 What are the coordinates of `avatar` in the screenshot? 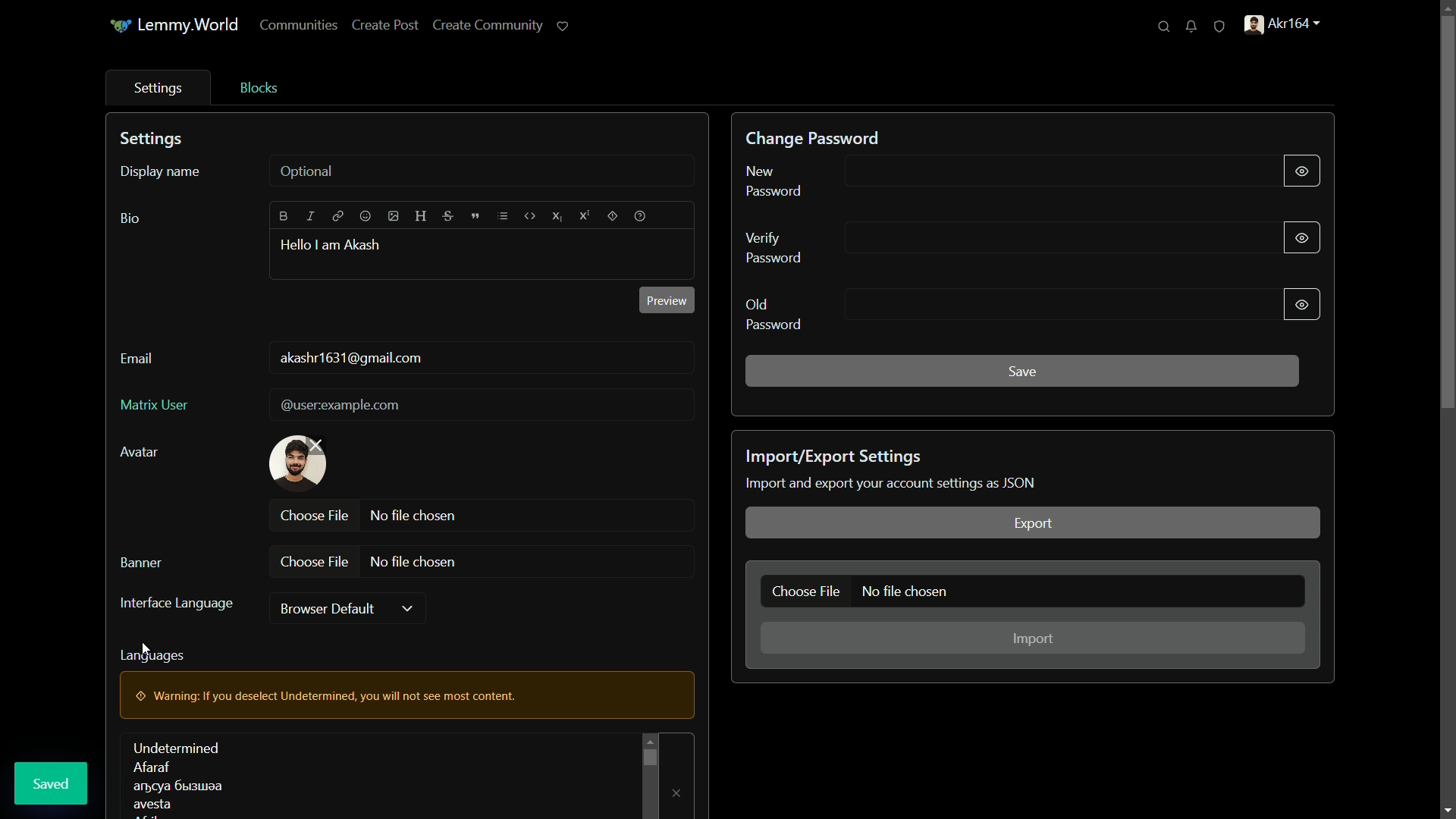 It's located at (138, 452).